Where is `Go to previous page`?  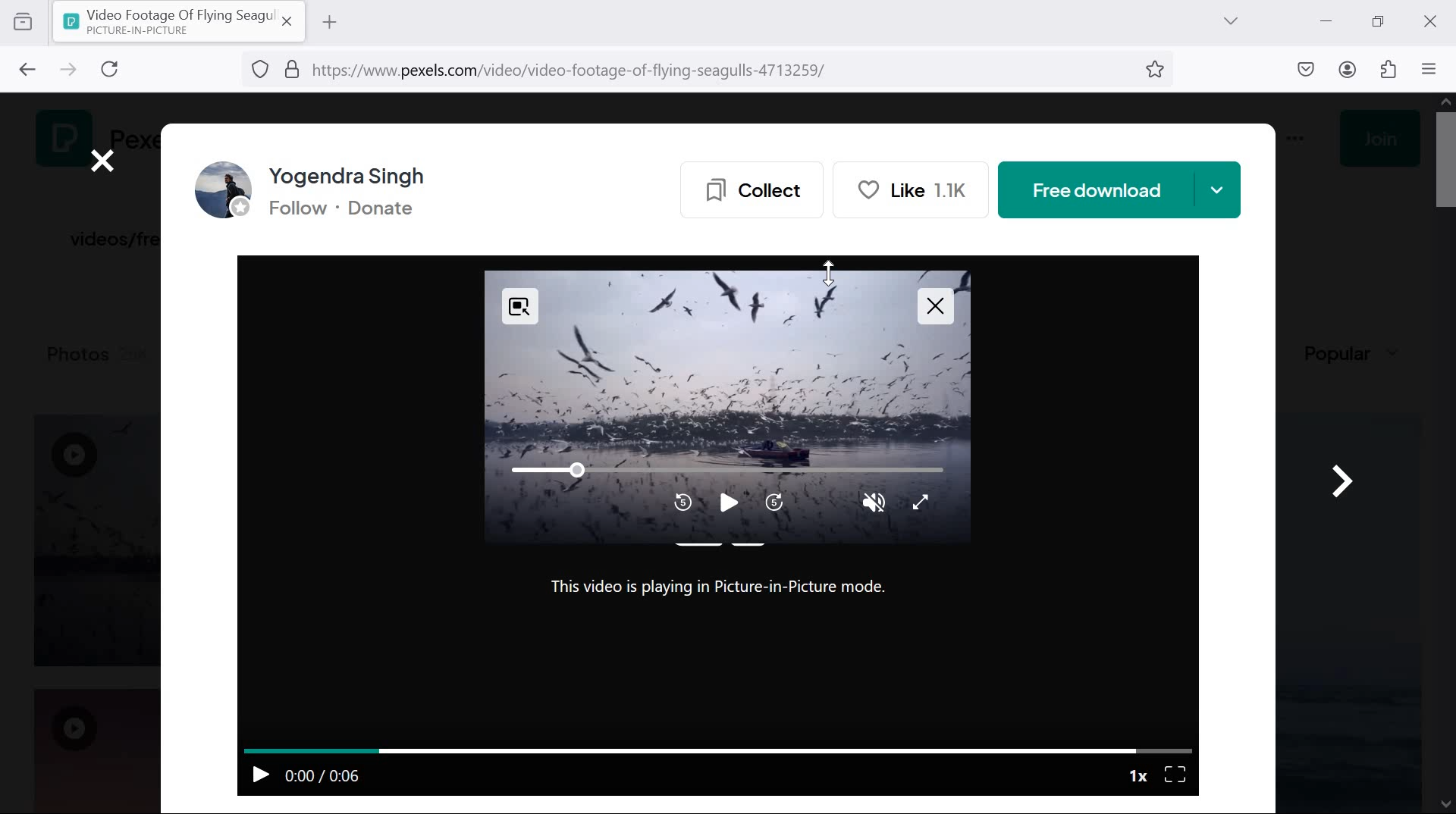
Go to previous page is located at coordinates (24, 67).